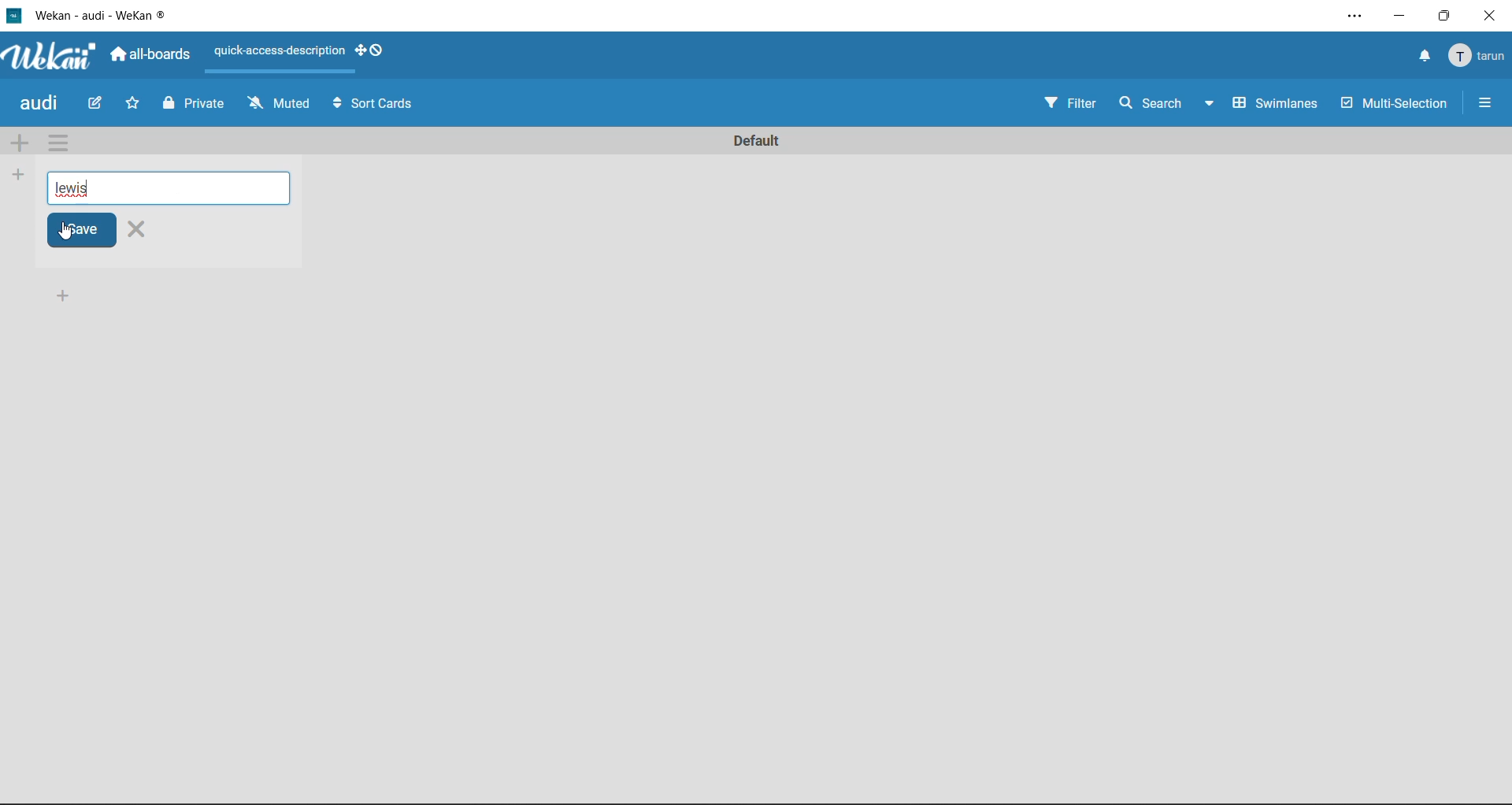 The width and height of the screenshot is (1512, 805). Describe the element at coordinates (1495, 16) in the screenshot. I see `close` at that location.